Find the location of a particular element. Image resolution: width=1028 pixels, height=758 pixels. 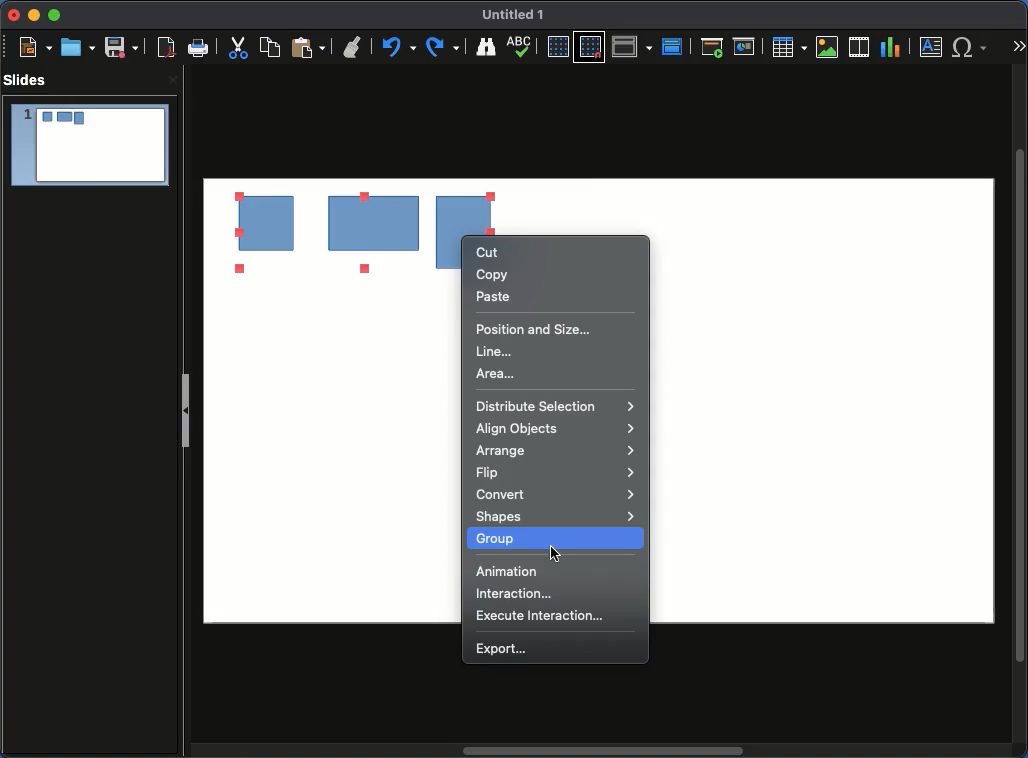

Clone formatting is located at coordinates (354, 48).